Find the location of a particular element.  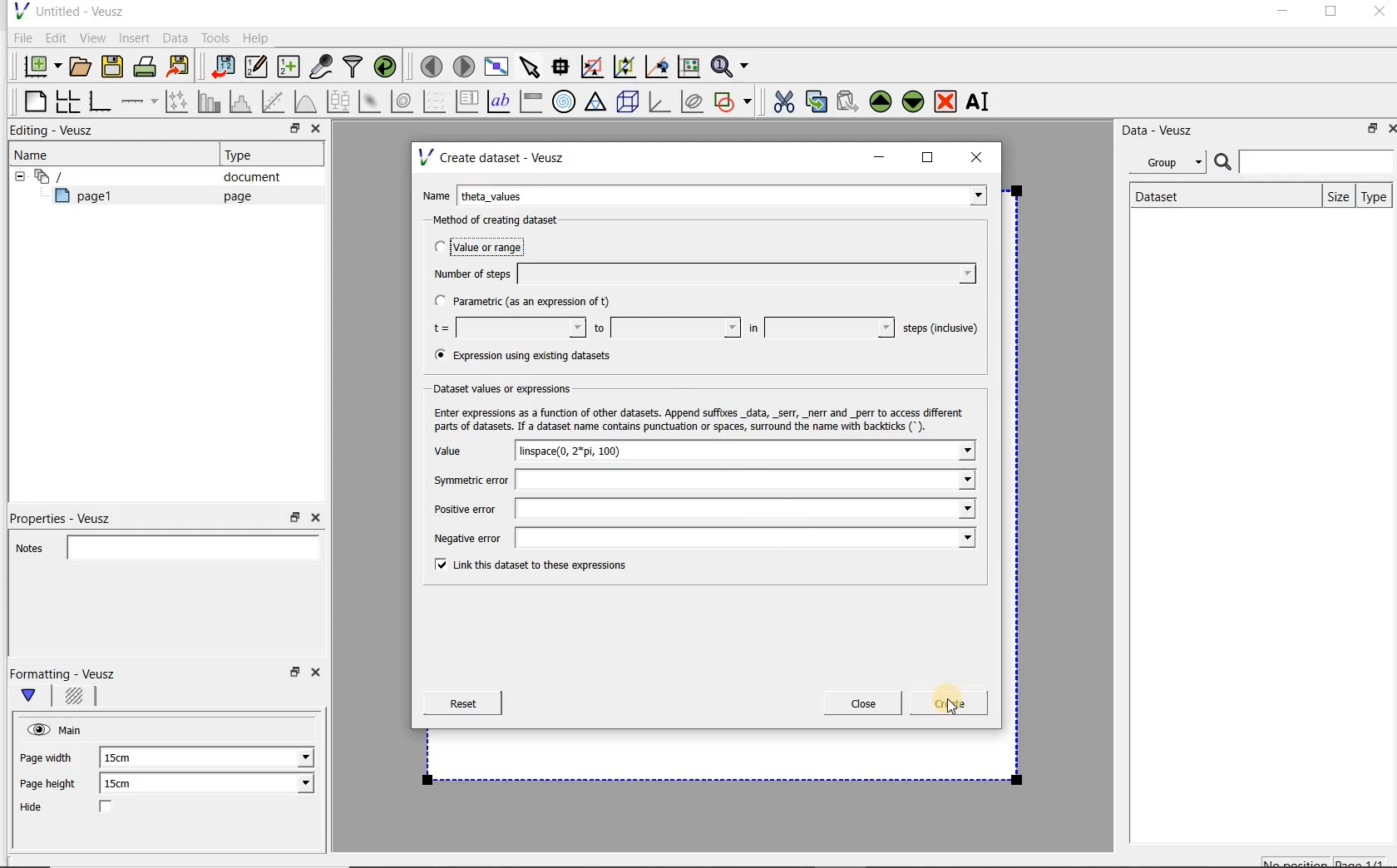

image color bar is located at coordinates (531, 101).